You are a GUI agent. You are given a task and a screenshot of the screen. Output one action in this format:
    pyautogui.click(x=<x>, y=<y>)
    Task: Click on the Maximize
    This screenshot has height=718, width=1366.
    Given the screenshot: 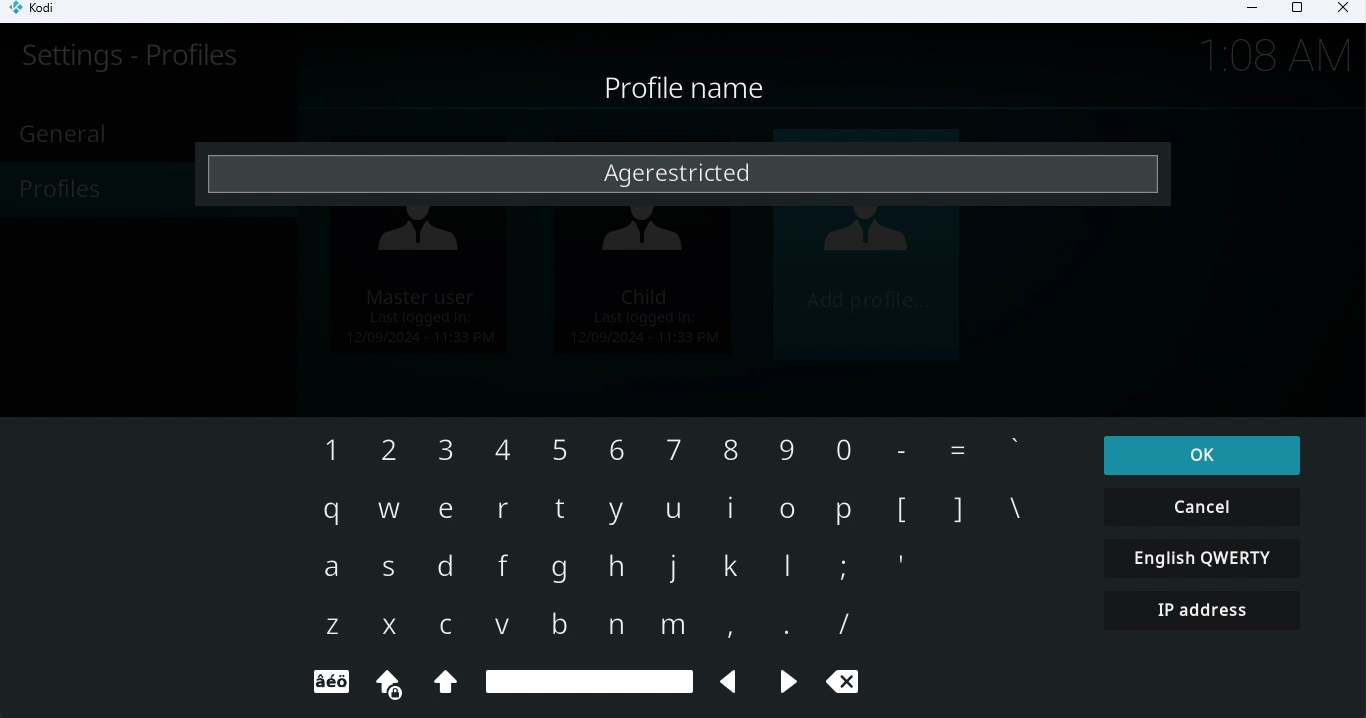 What is the action you would take?
    pyautogui.click(x=1296, y=12)
    